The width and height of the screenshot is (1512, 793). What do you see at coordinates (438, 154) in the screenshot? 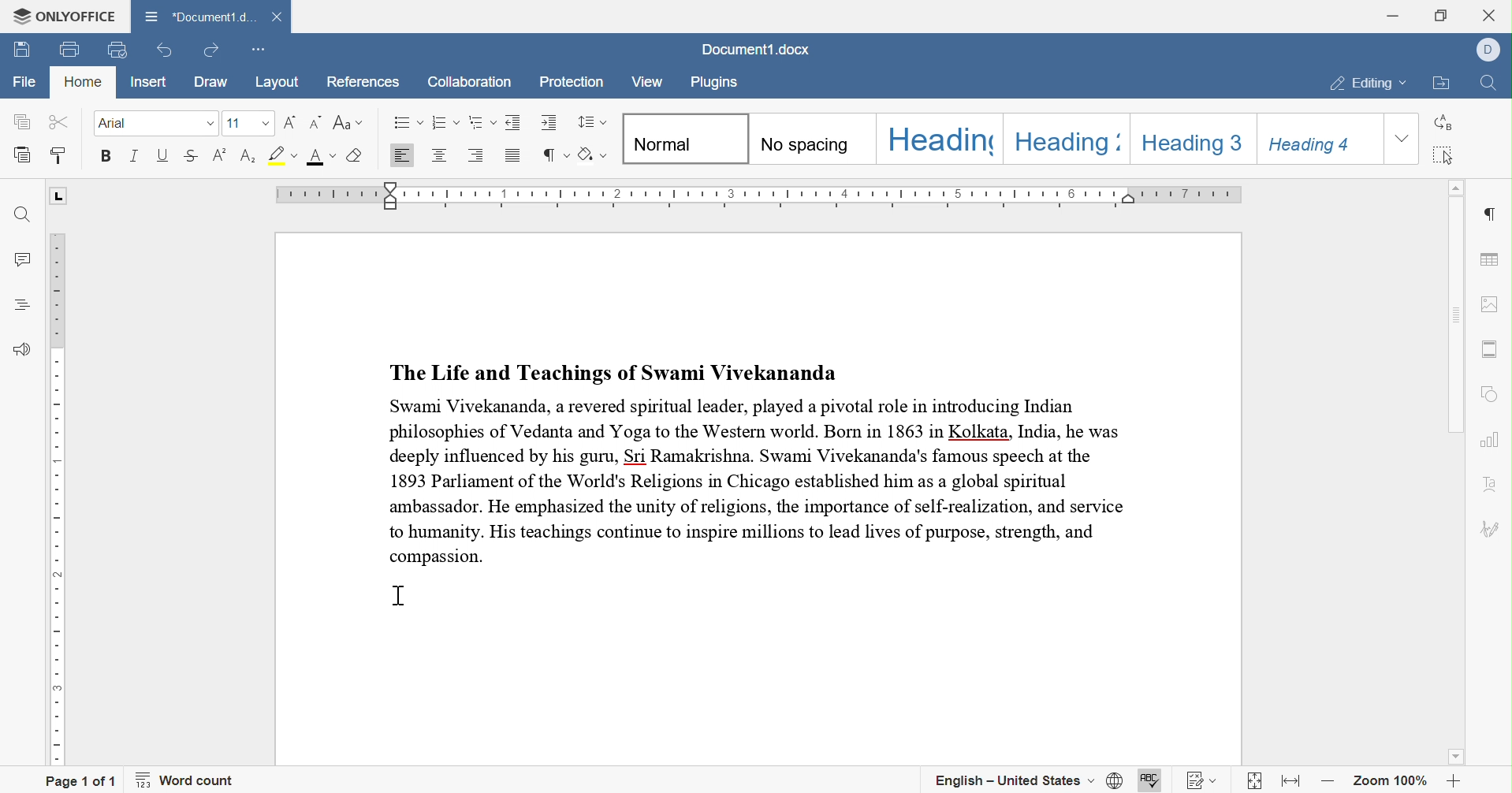
I see `align center` at bounding box center [438, 154].